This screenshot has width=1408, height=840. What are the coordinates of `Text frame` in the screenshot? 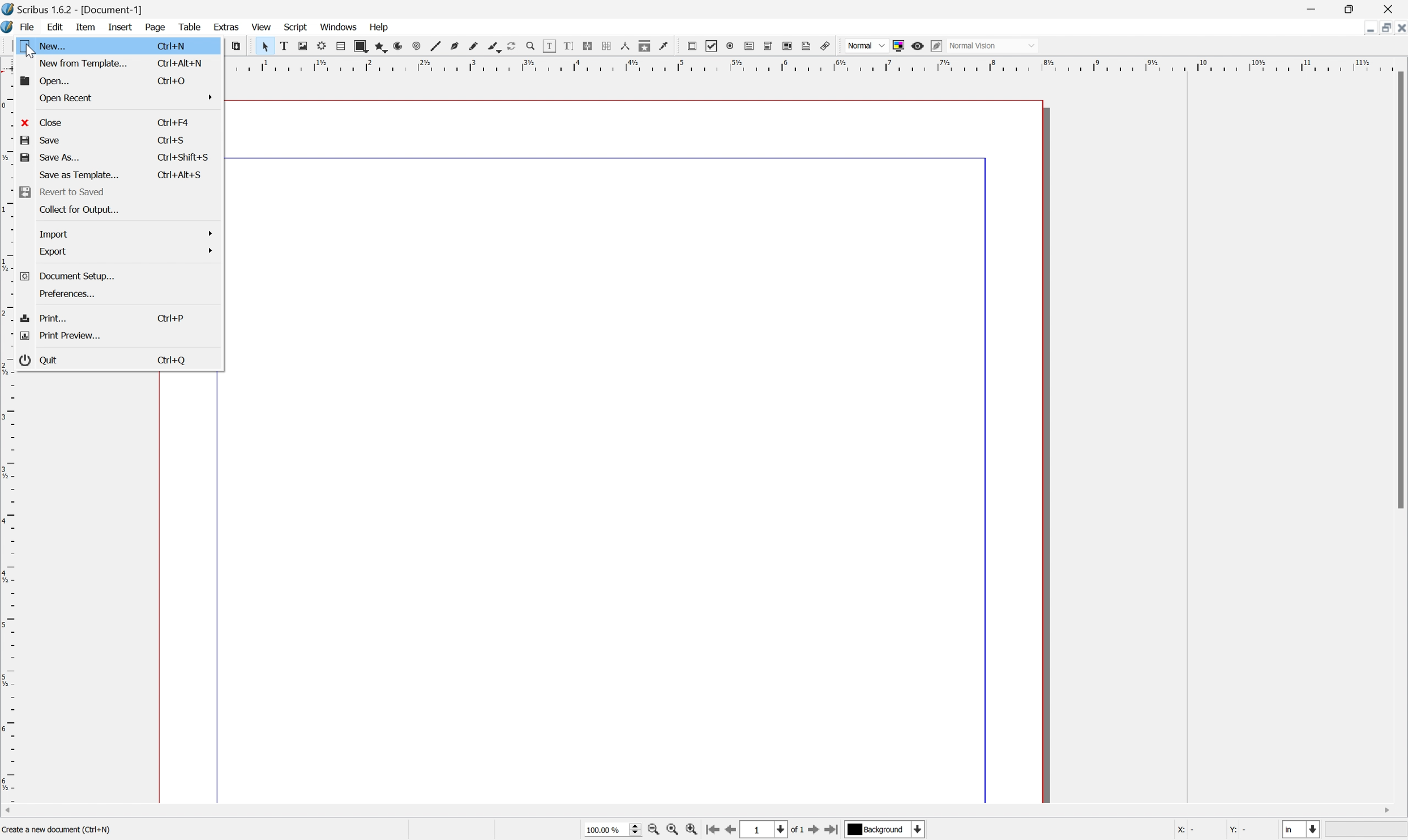 It's located at (284, 46).